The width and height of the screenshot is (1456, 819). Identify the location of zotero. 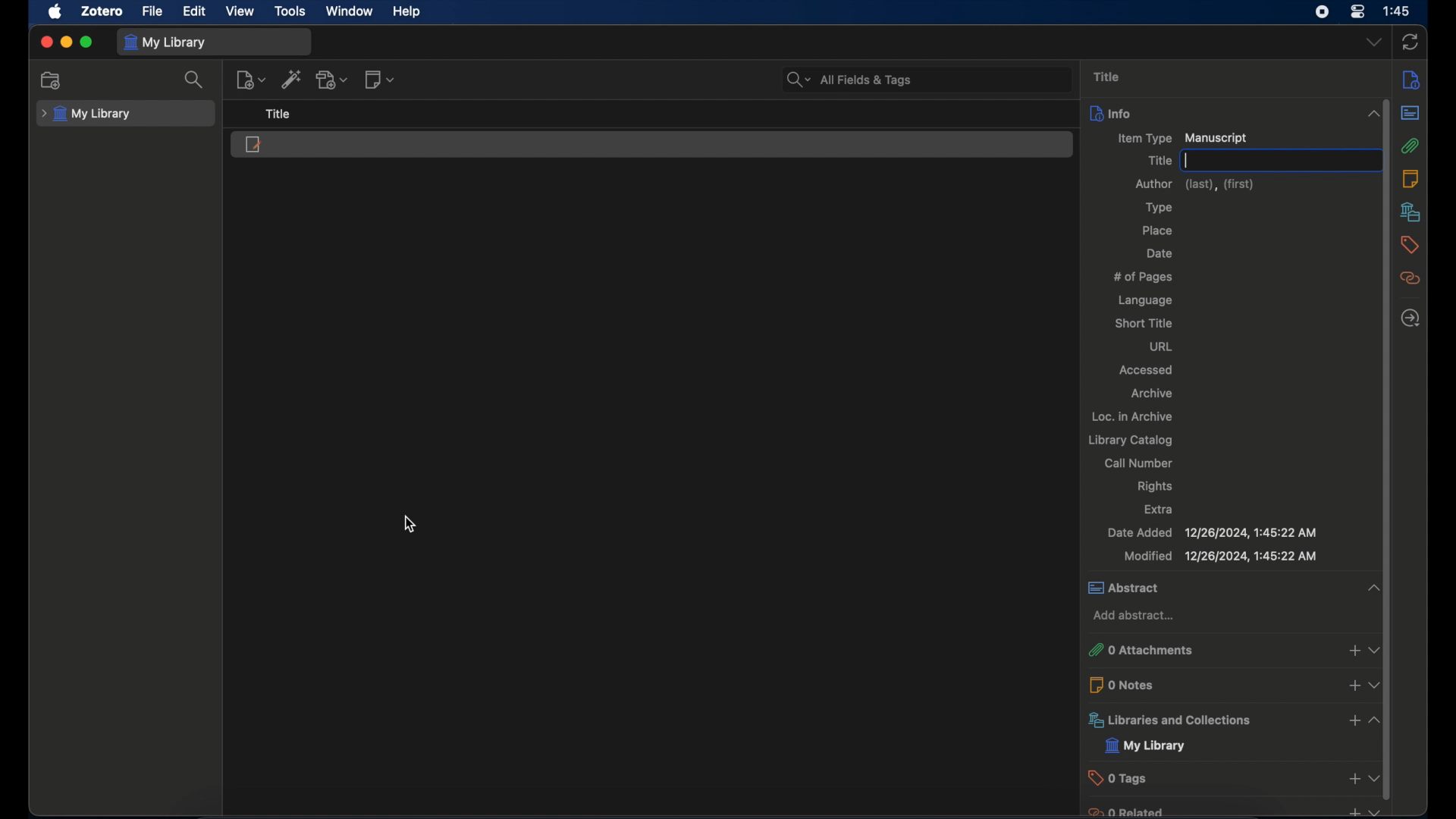
(103, 11).